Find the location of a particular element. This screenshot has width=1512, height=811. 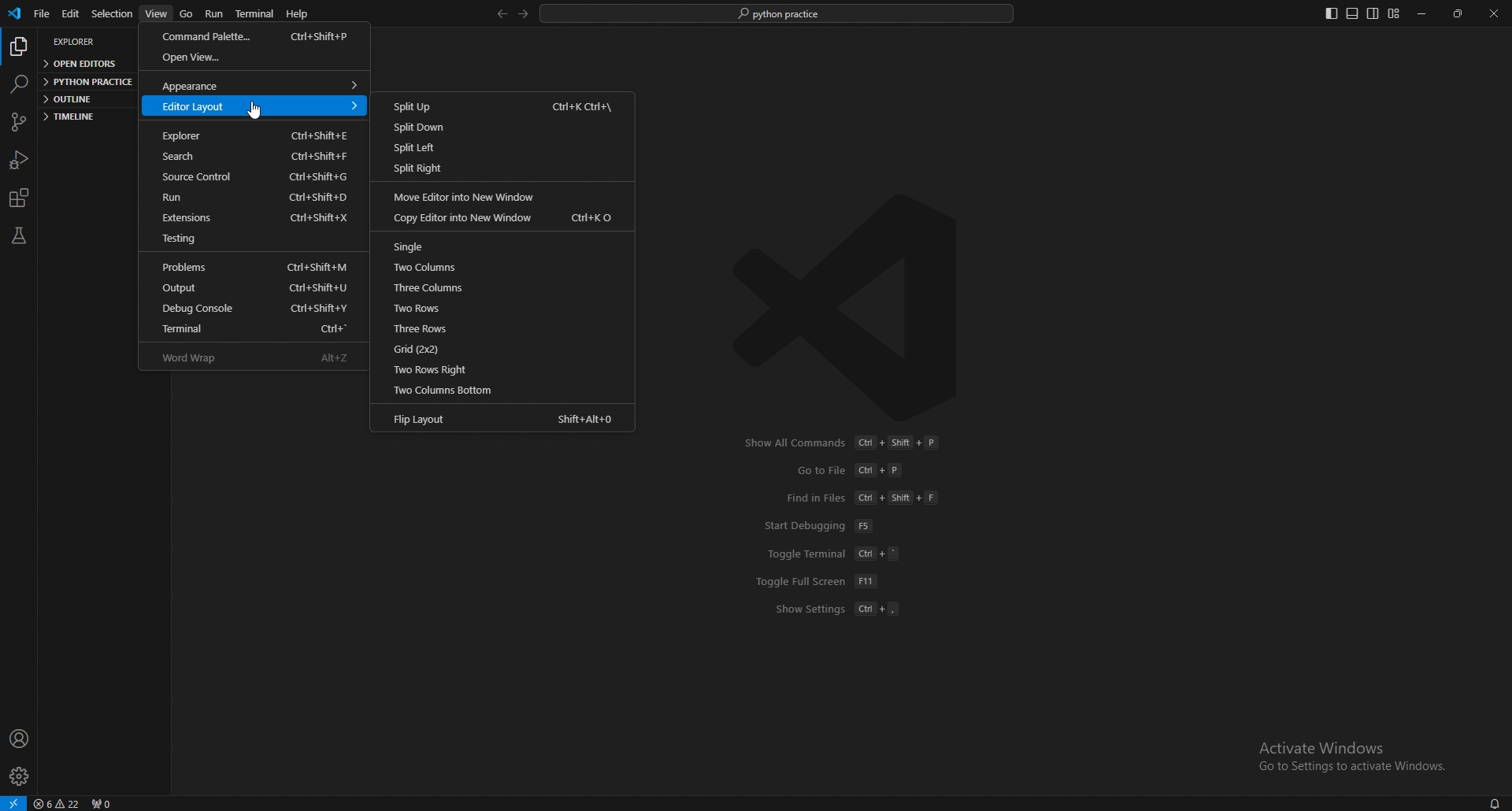

view is located at coordinates (157, 13).